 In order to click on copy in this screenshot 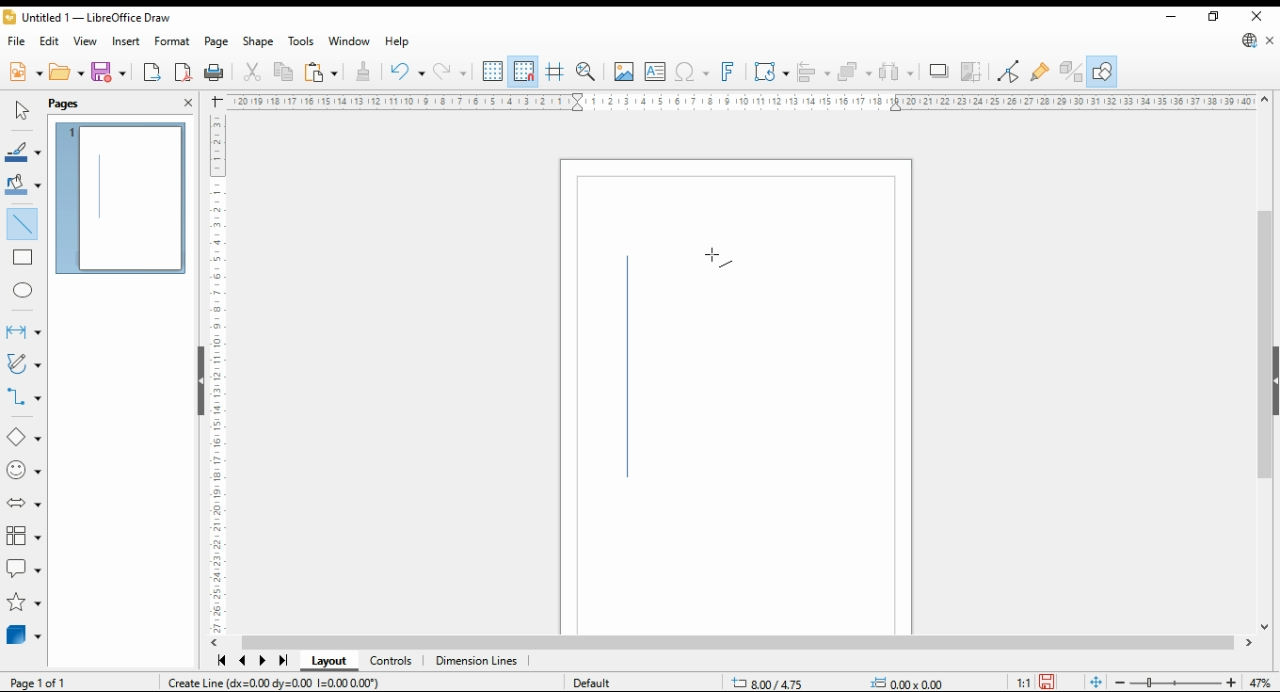, I will do `click(282, 73)`.